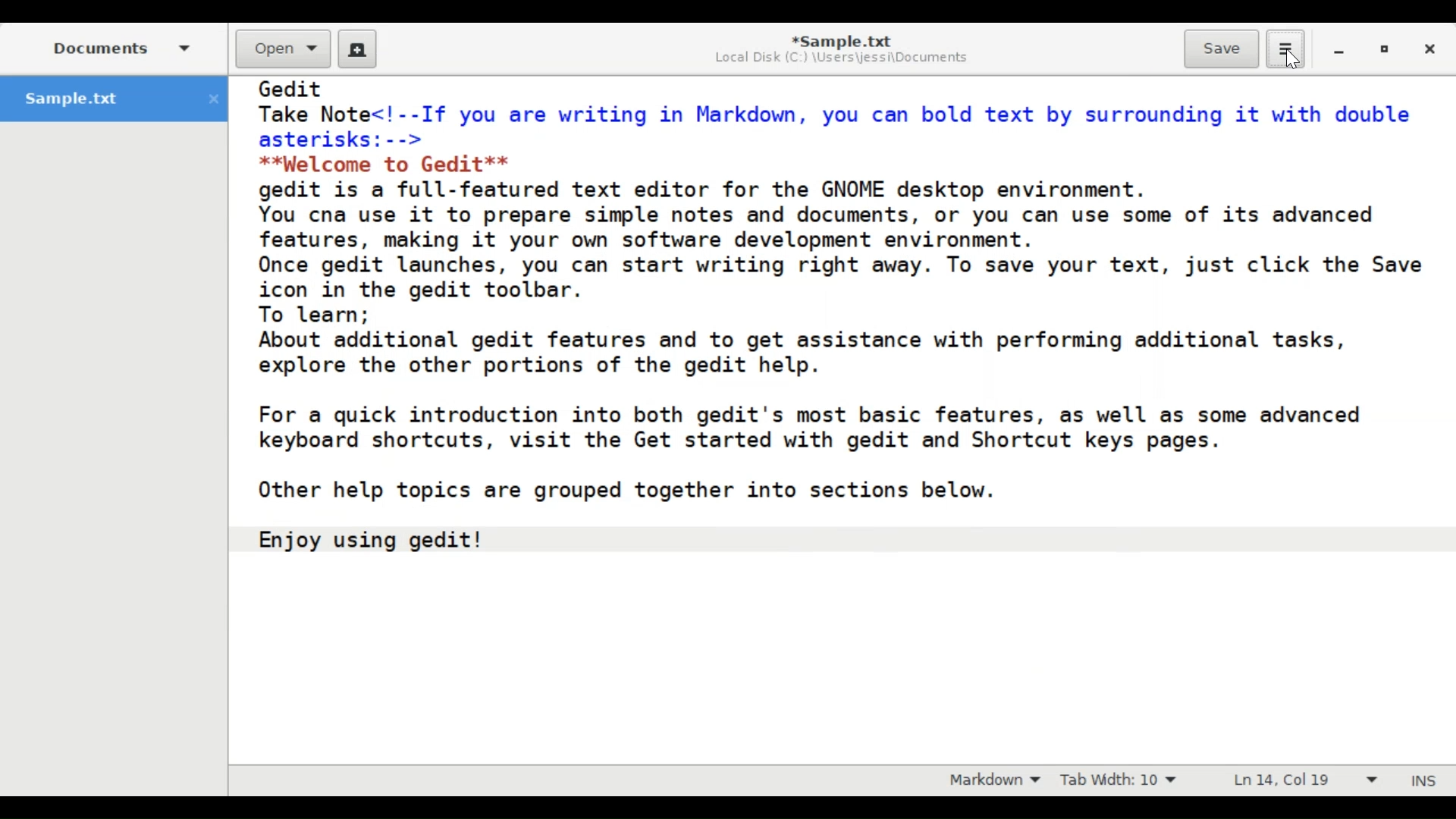 The width and height of the screenshot is (1456, 819). What do you see at coordinates (995, 780) in the screenshot?
I see `Highlight Mode: Markdown` at bounding box center [995, 780].